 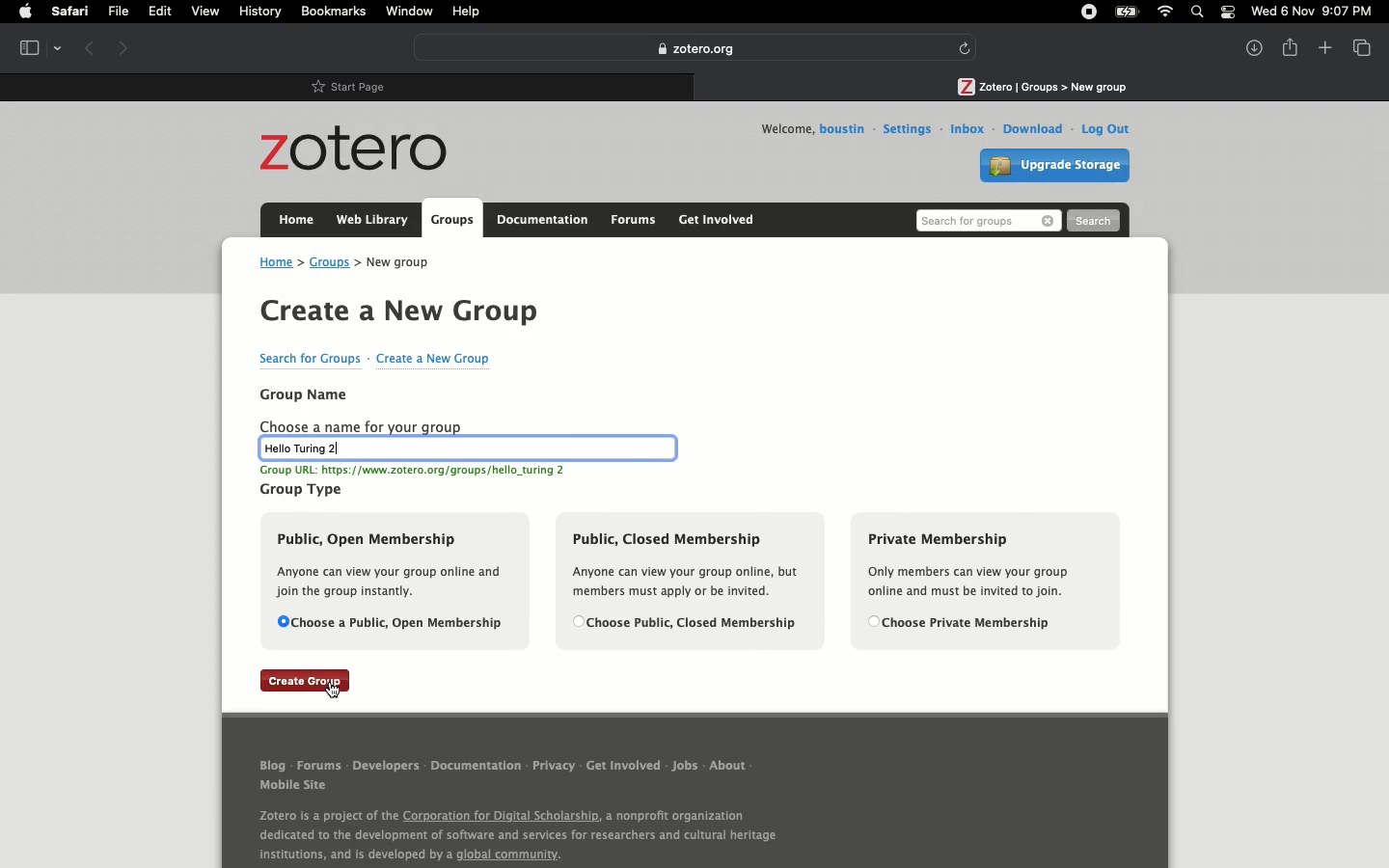 What do you see at coordinates (622, 767) in the screenshot?
I see `Get involved` at bounding box center [622, 767].